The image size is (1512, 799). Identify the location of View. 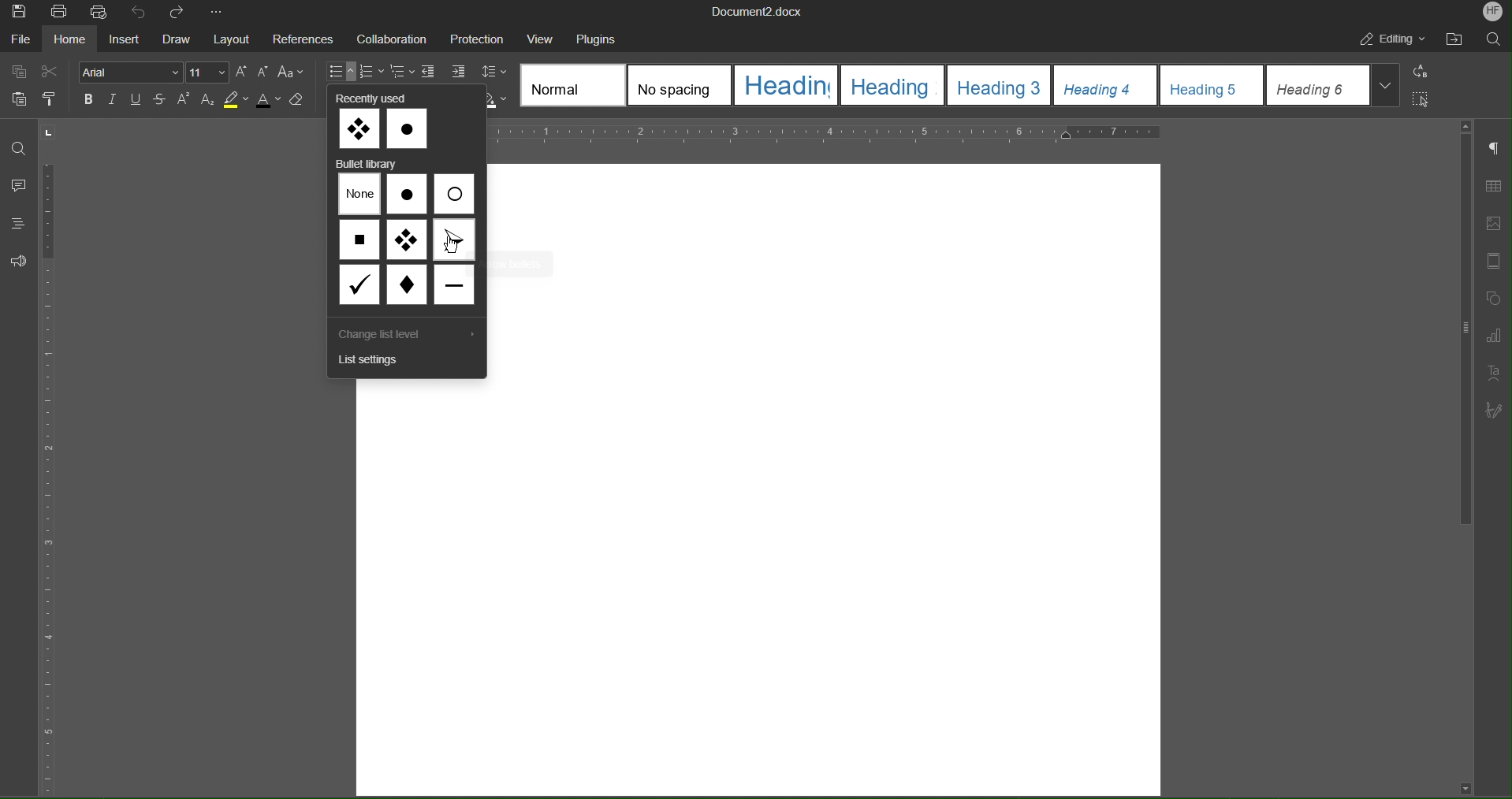
(542, 39).